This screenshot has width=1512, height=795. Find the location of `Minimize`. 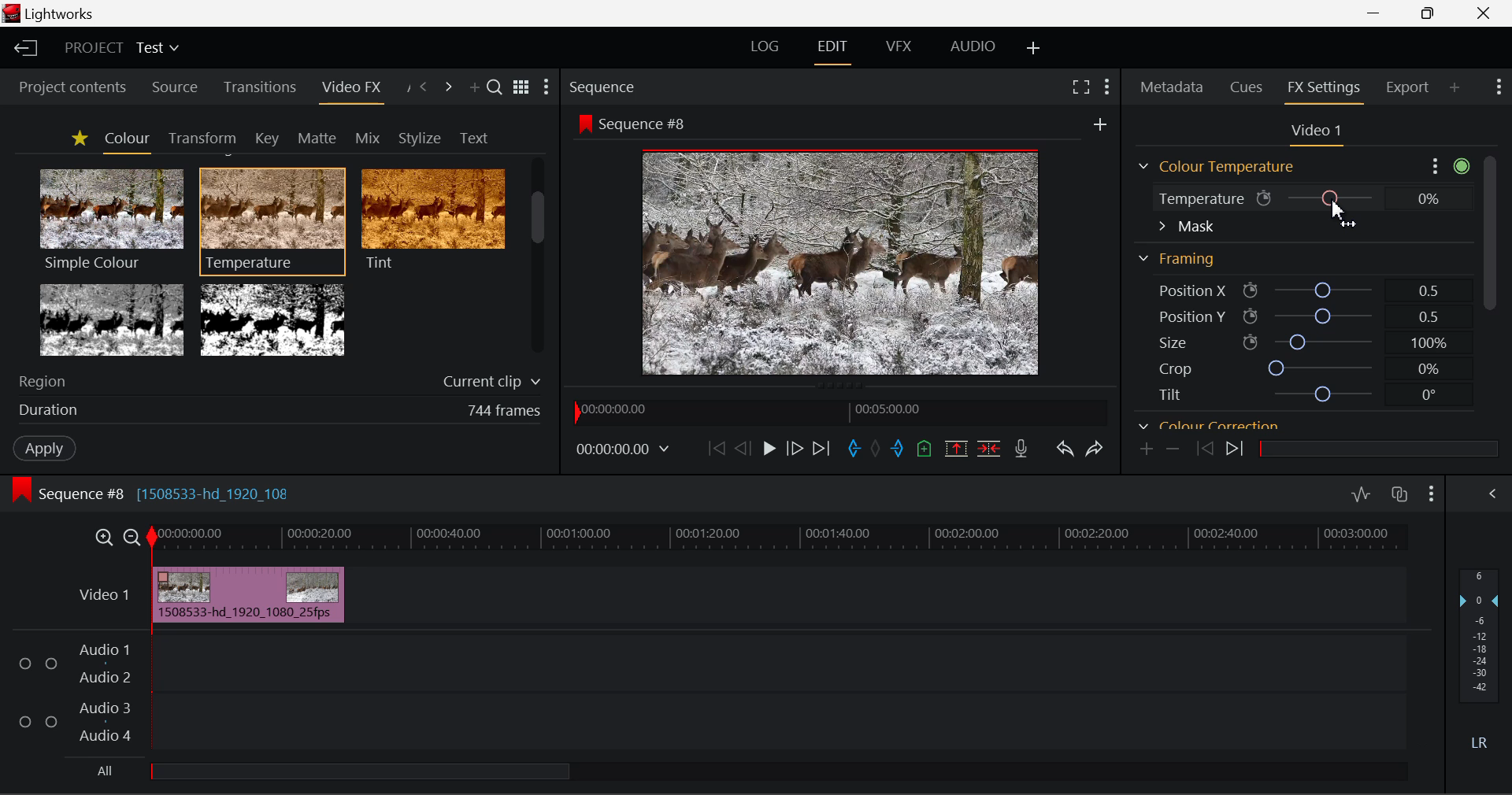

Minimize is located at coordinates (1428, 12).